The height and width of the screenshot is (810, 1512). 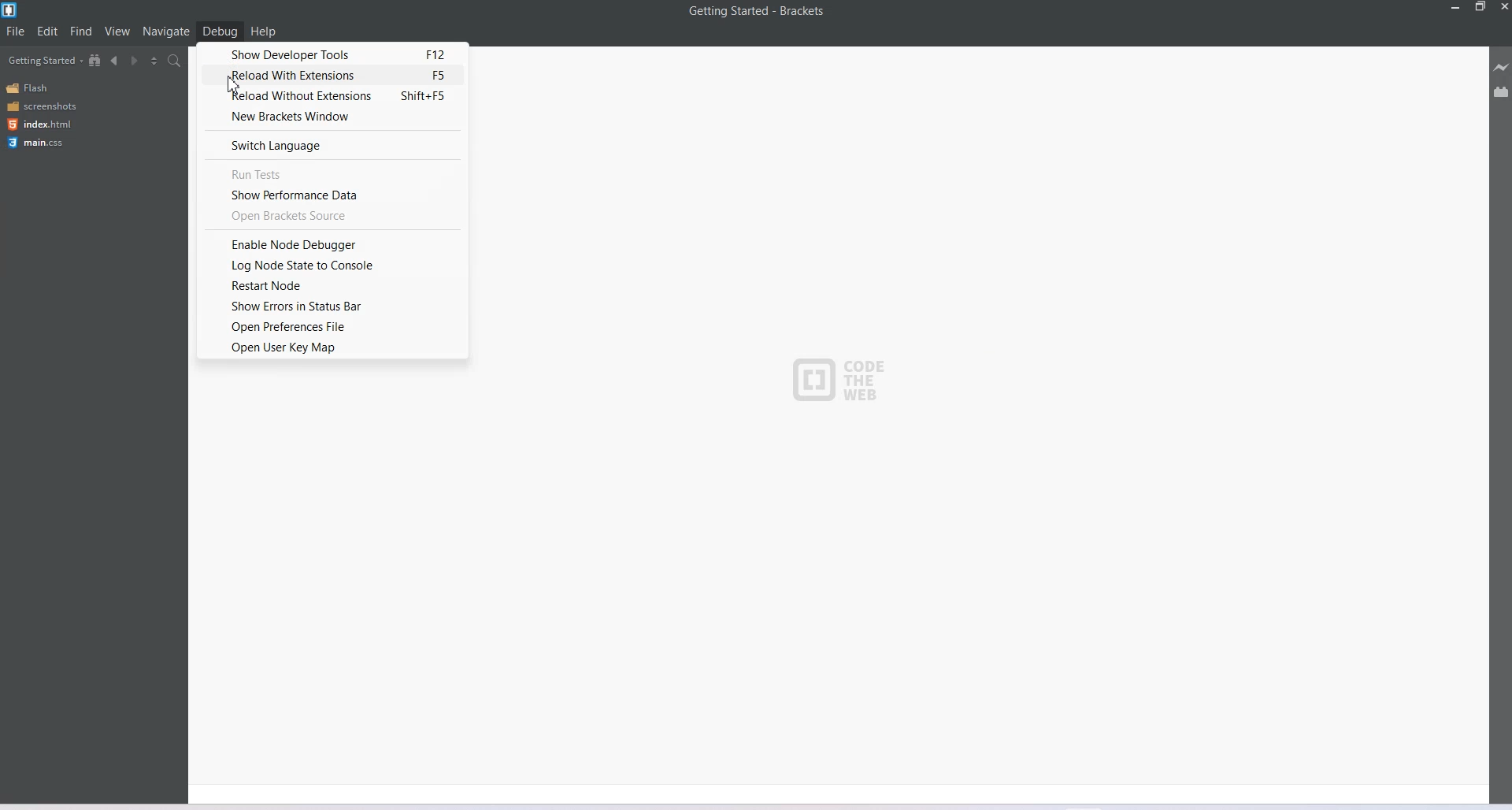 I want to click on Close, so click(x=1503, y=7).